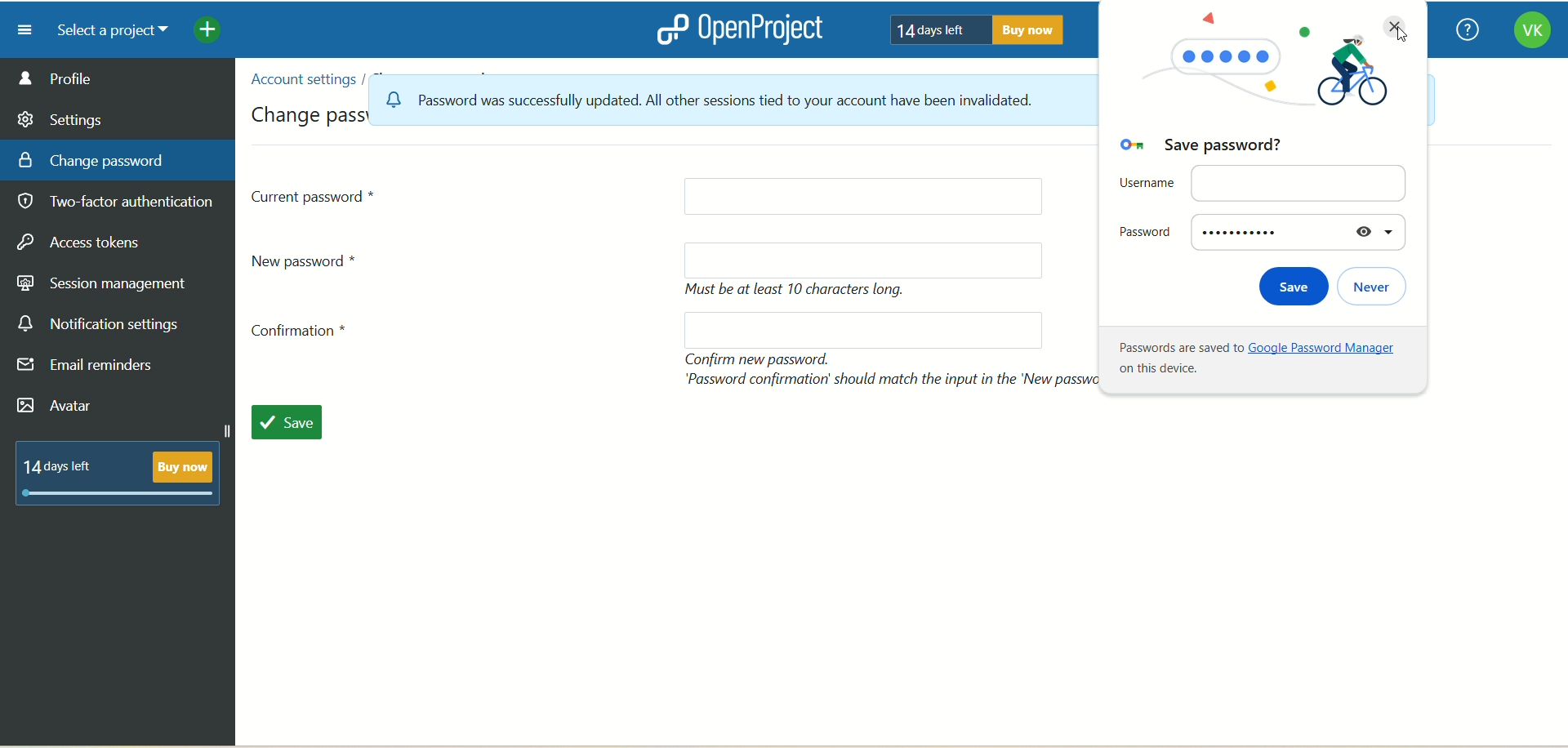 The width and height of the screenshot is (1568, 748). Describe the element at coordinates (1289, 288) in the screenshot. I see `save` at that location.